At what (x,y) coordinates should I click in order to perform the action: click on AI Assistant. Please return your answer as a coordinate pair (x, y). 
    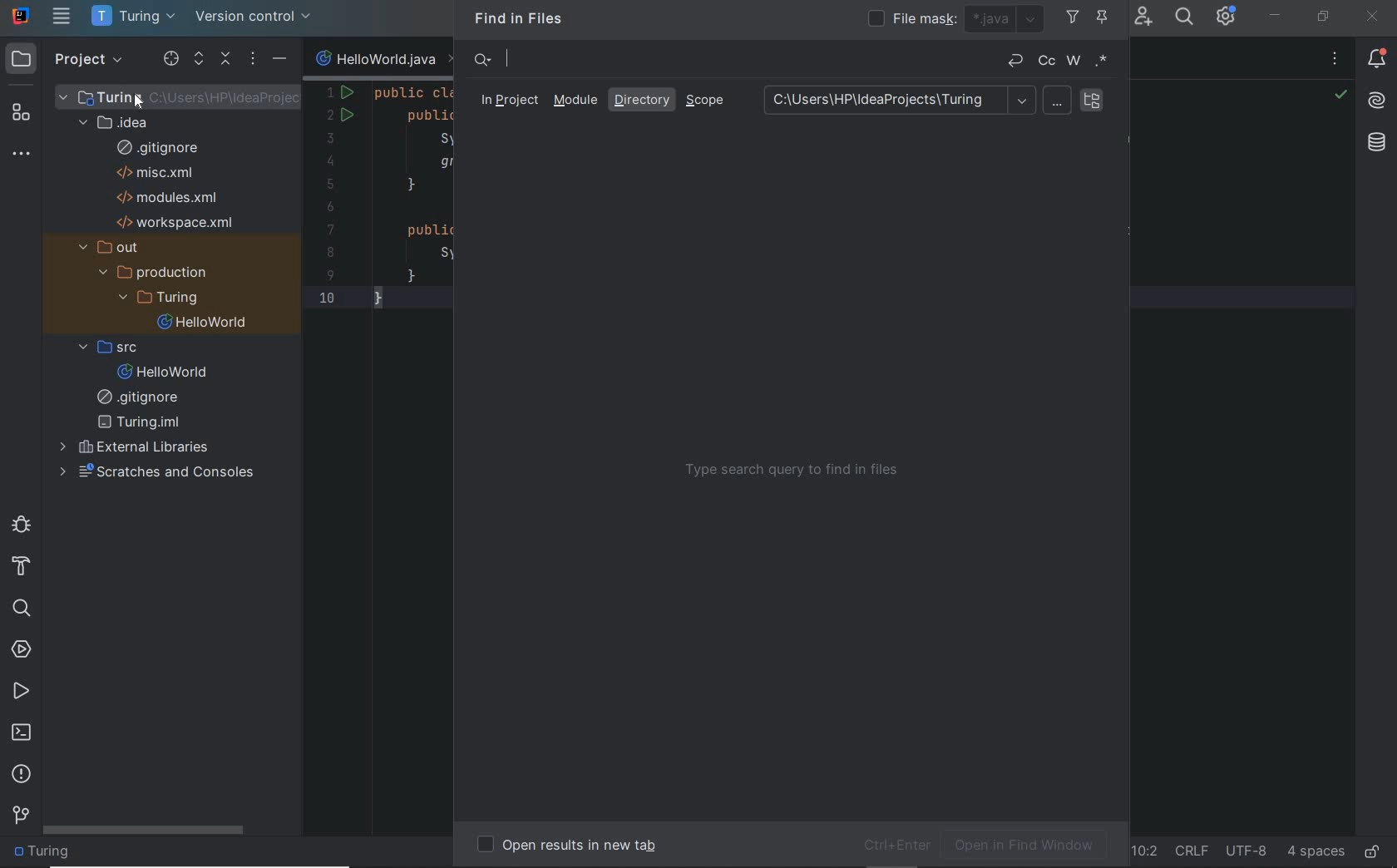
    Looking at the image, I should click on (1375, 101).